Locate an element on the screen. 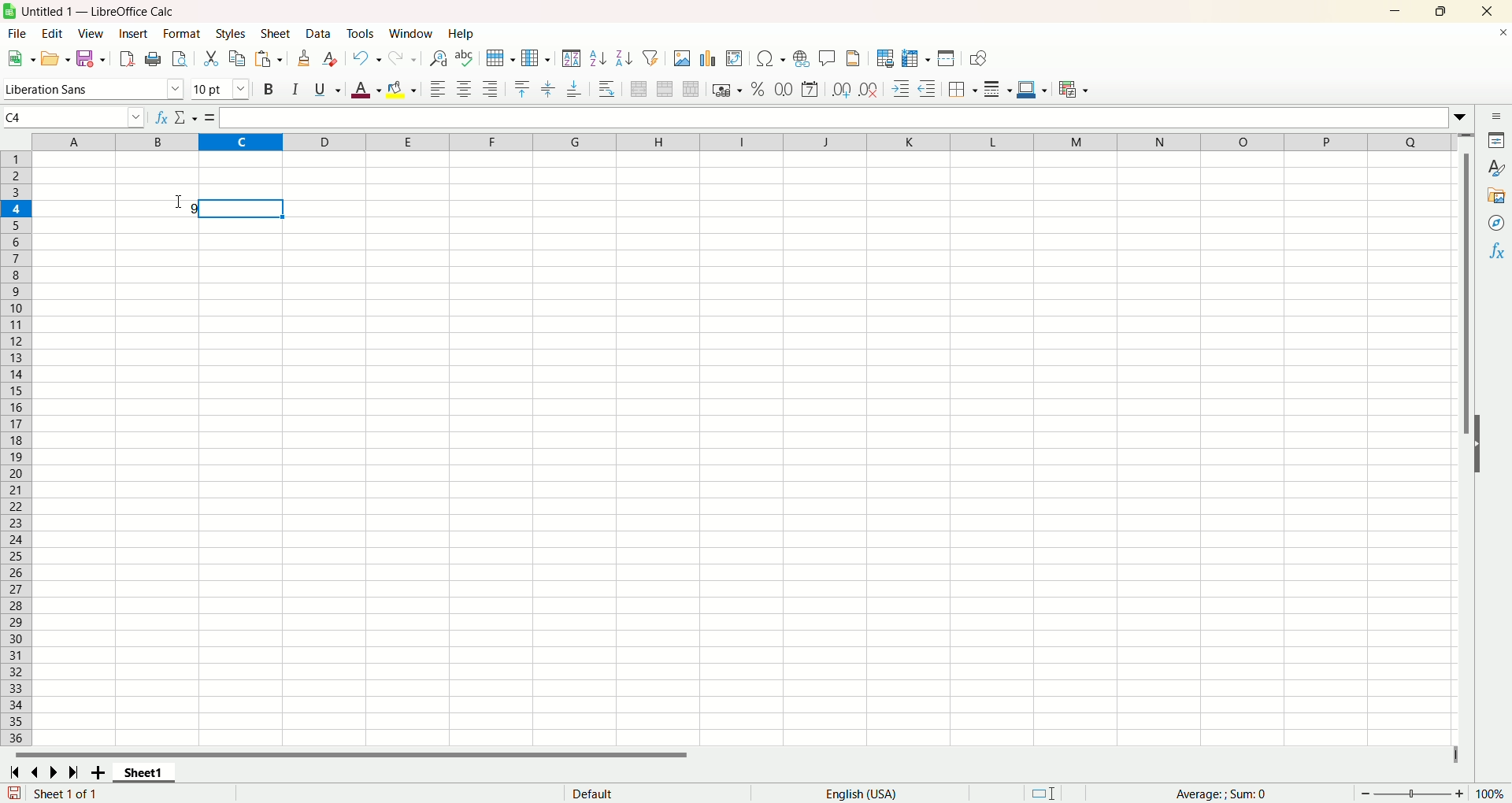 The image size is (1512, 803). sort descending is located at coordinates (625, 58).